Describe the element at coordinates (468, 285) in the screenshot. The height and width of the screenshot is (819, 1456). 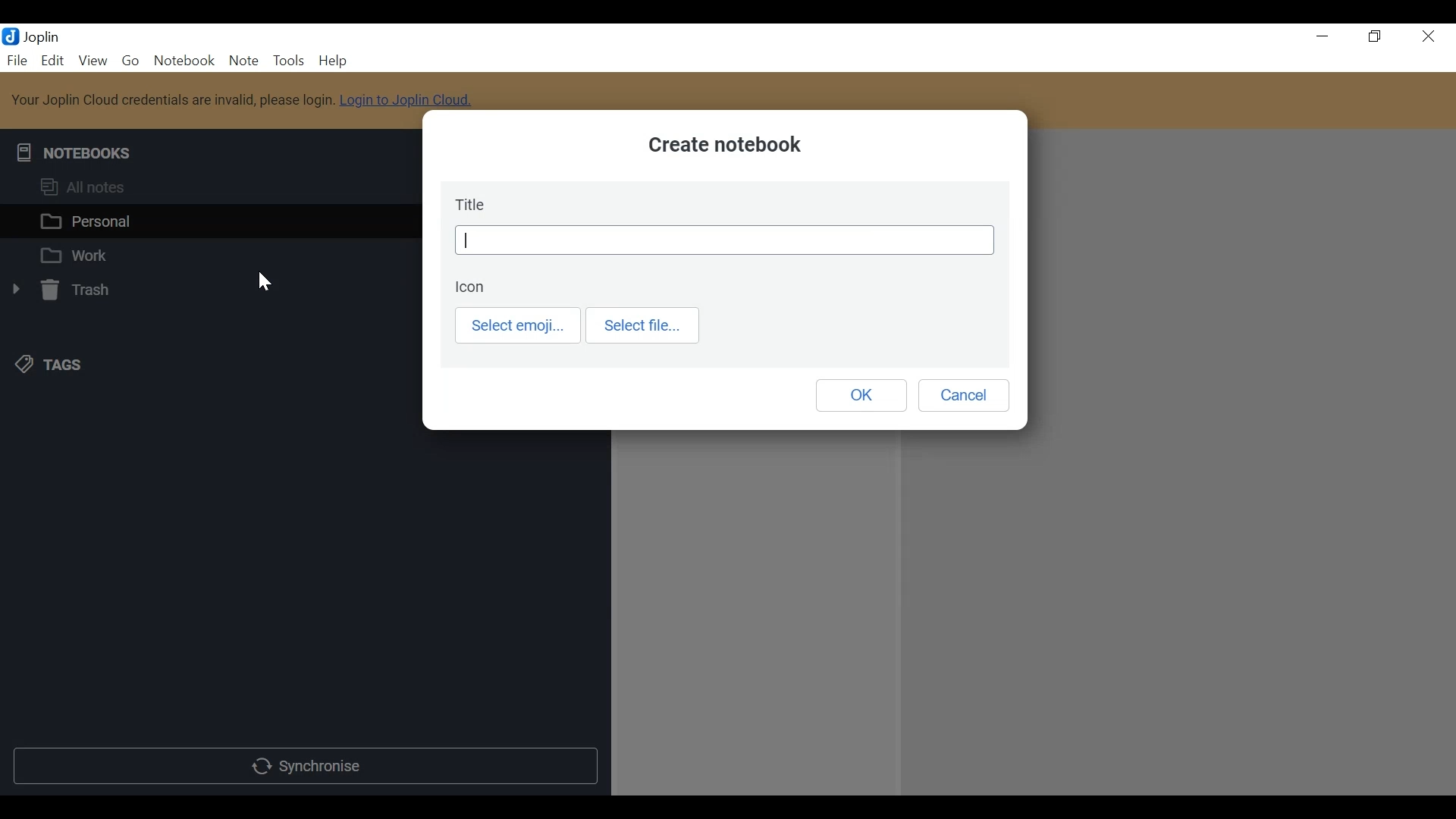
I see `Icon` at that location.